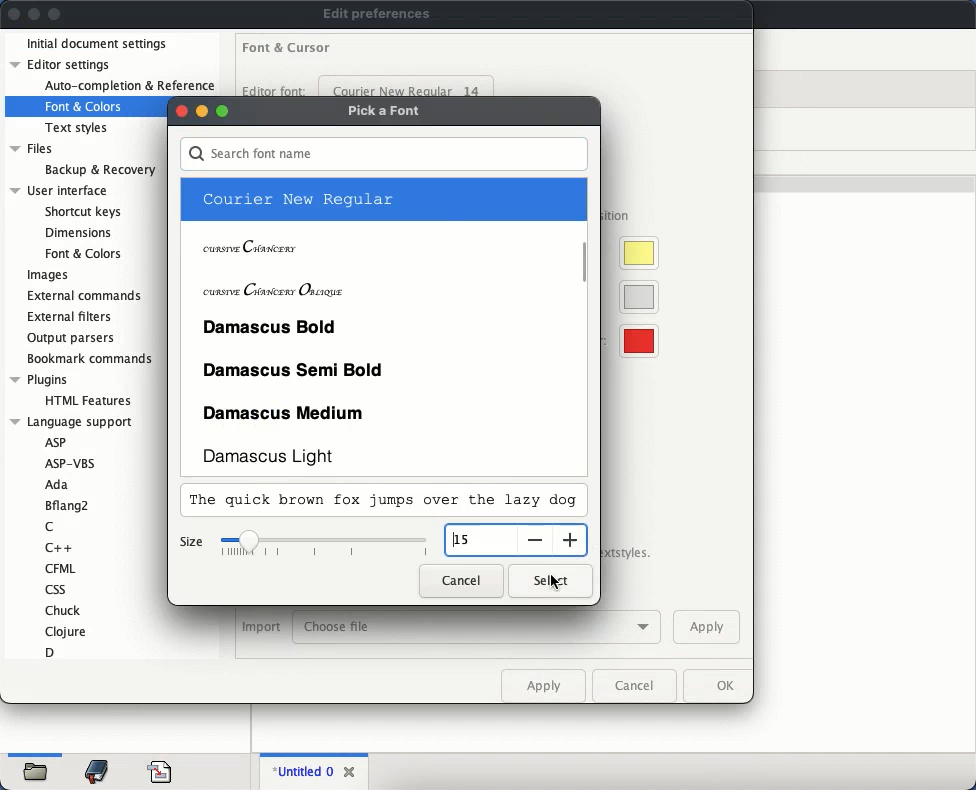 The width and height of the screenshot is (976, 790). What do you see at coordinates (85, 107) in the screenshot?
I see `font and colors` at bounding box center [85, 107].